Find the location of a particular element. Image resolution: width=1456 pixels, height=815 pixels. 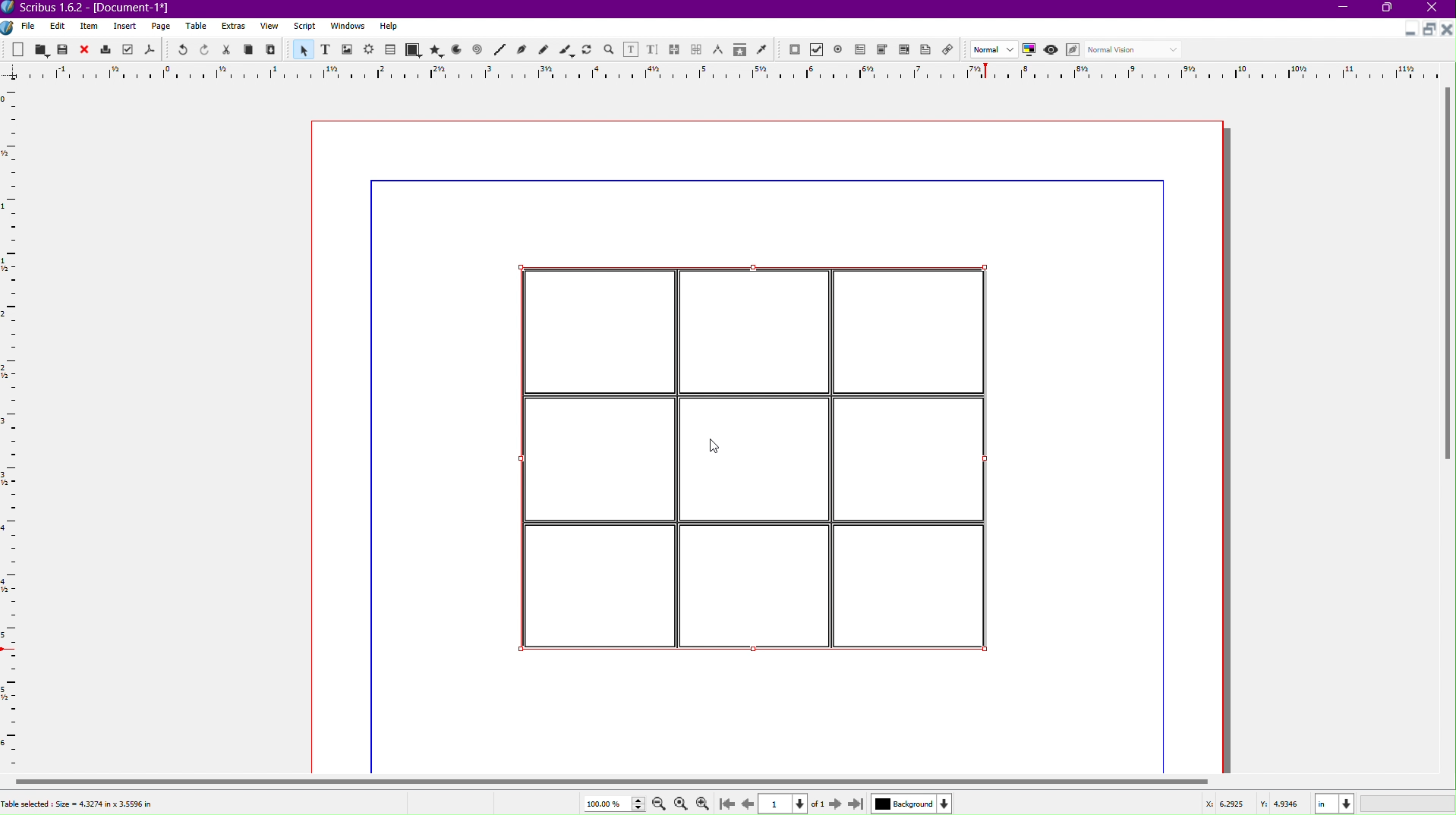

Edit Contents of Frame is located at coordinates (632, 49).